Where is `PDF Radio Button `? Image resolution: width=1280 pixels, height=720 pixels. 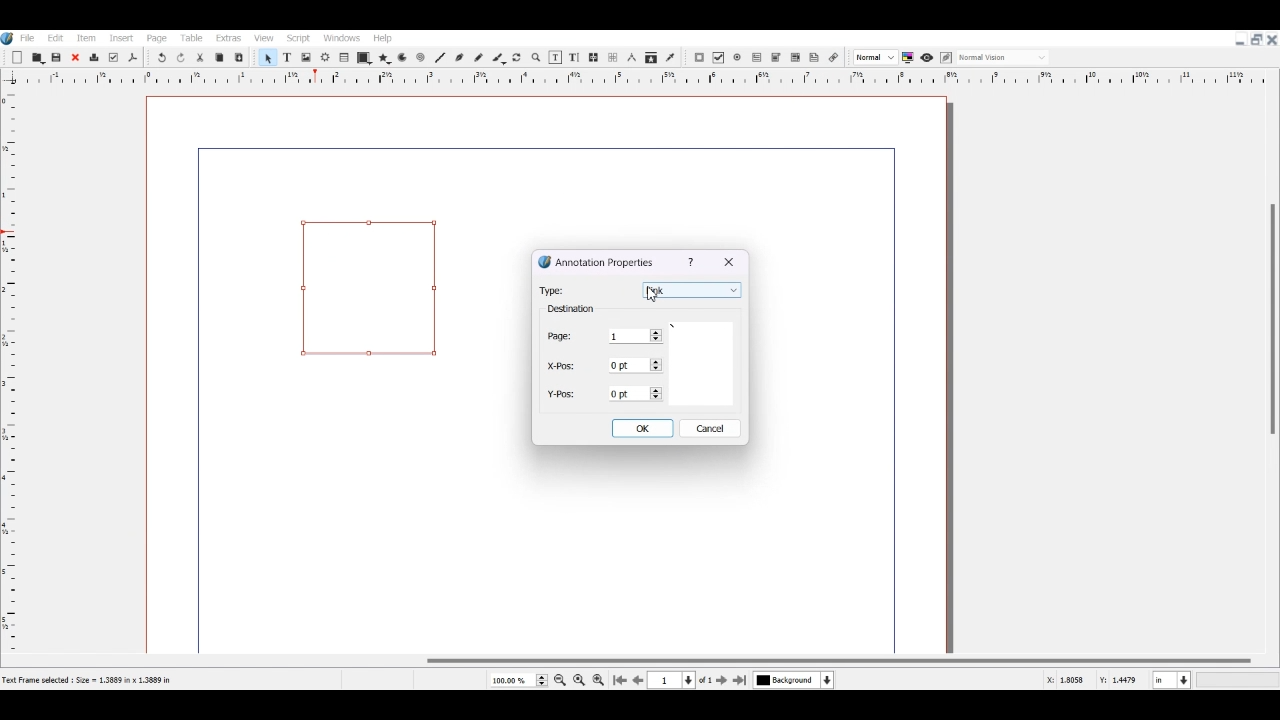
PDF Radio Button  is located at coordinates (739, 58).